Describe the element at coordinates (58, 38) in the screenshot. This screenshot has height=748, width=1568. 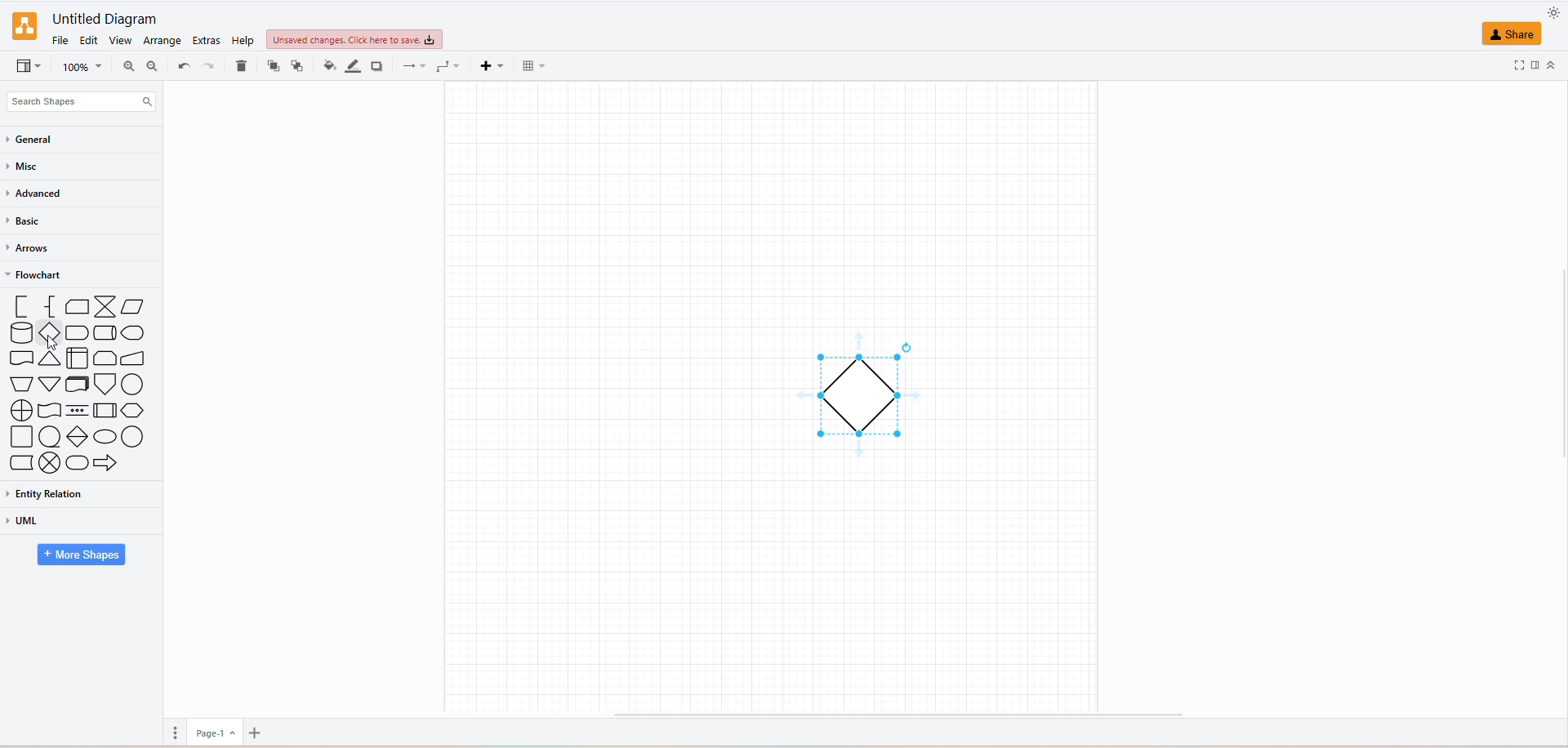
I see `FILE` at that location.